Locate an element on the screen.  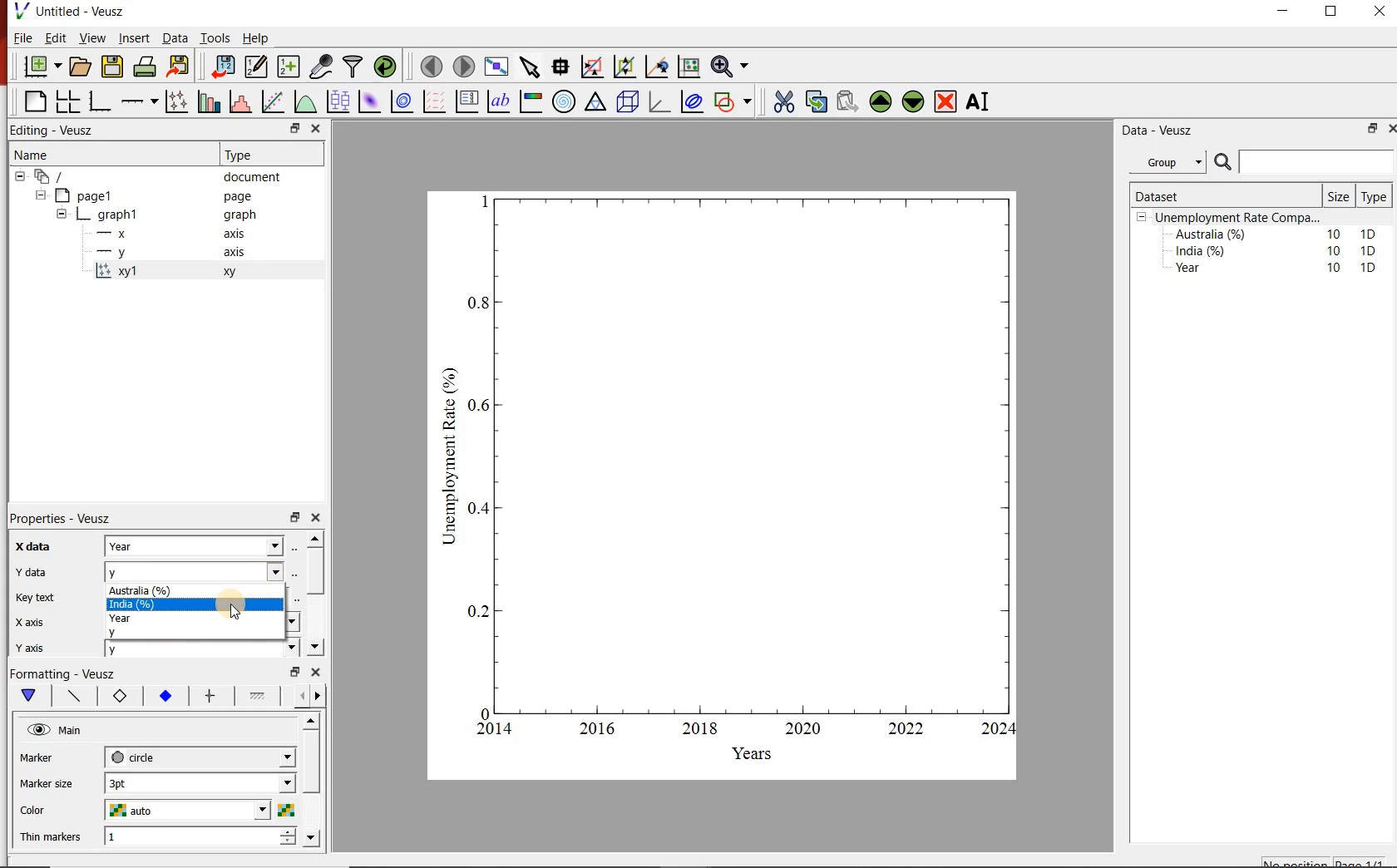
line 1 is located at coordinates (258, 694).